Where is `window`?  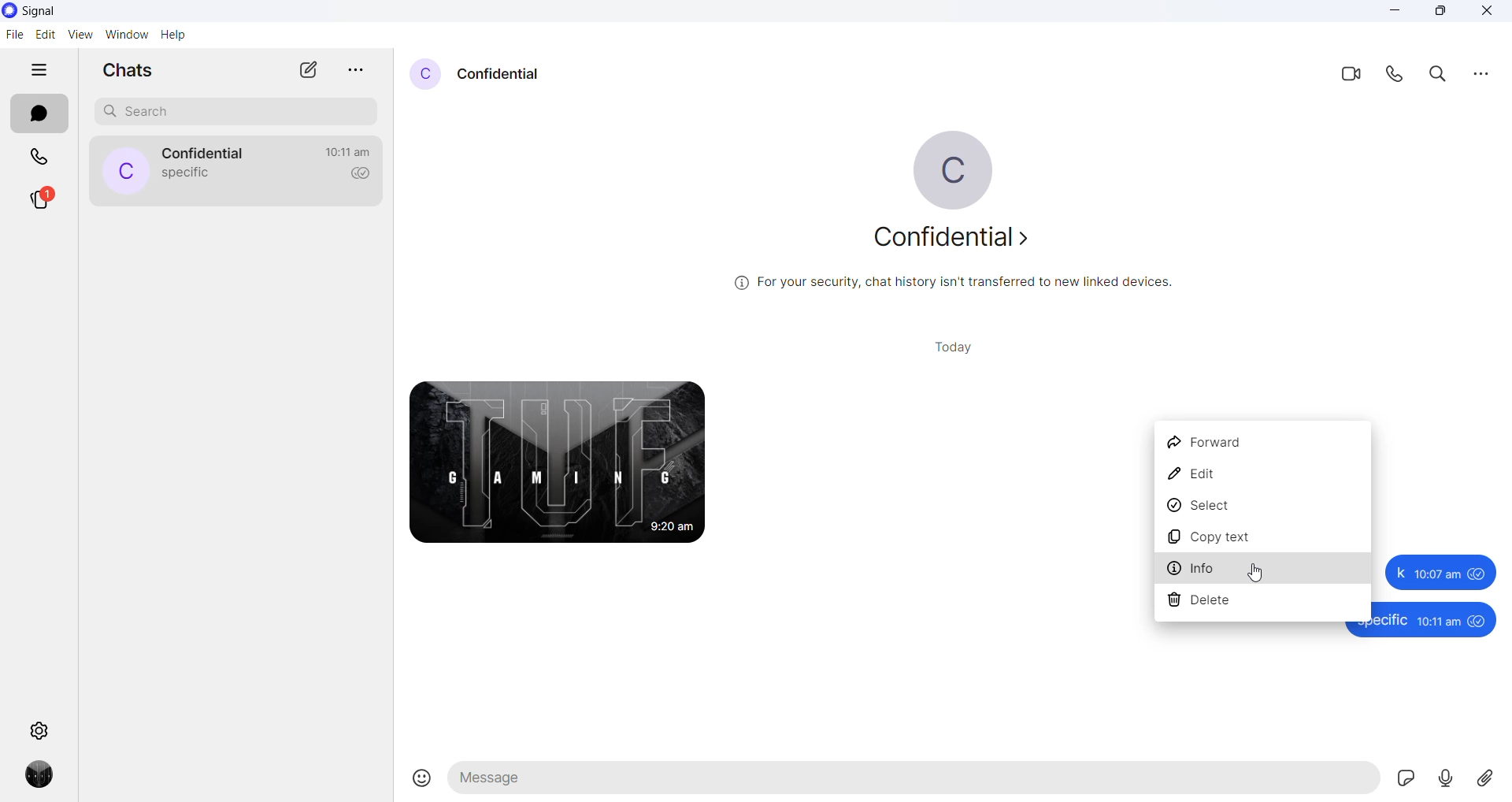 window is located at coordinates (127, 35).